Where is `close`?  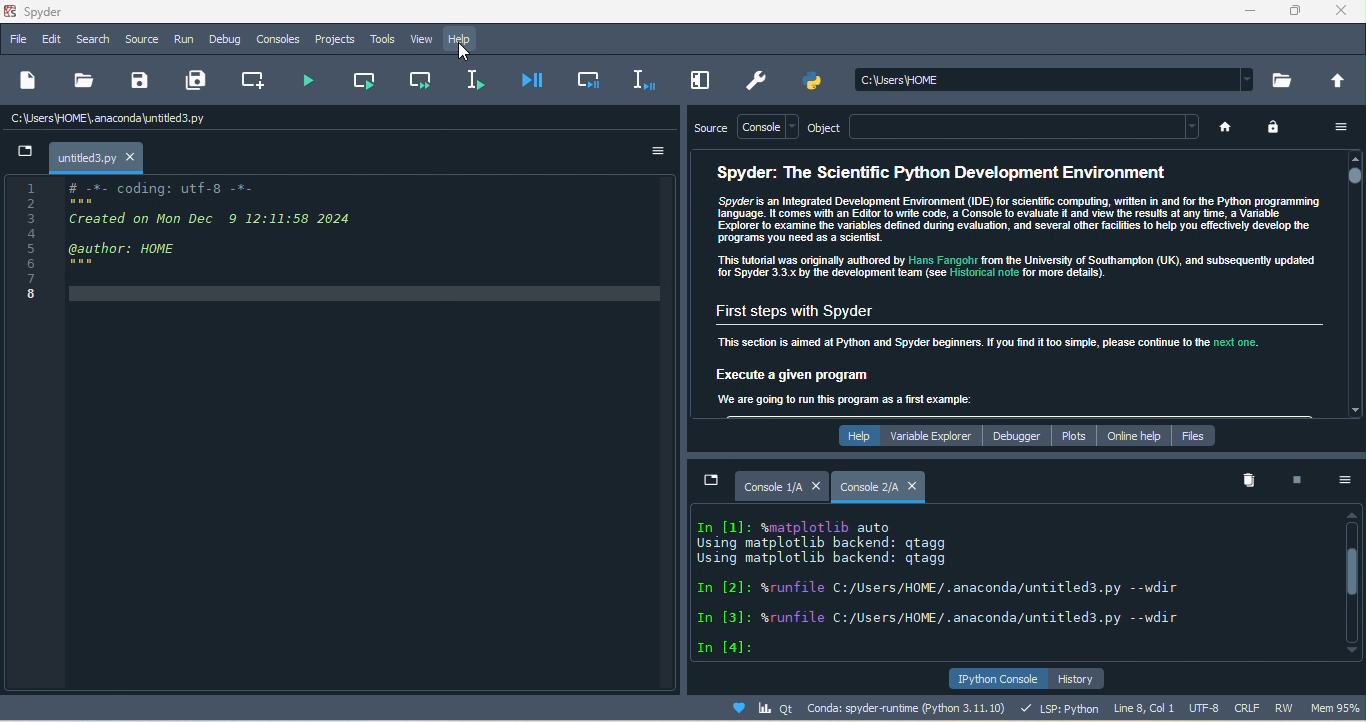 close is located at coordinates (1345, 14).